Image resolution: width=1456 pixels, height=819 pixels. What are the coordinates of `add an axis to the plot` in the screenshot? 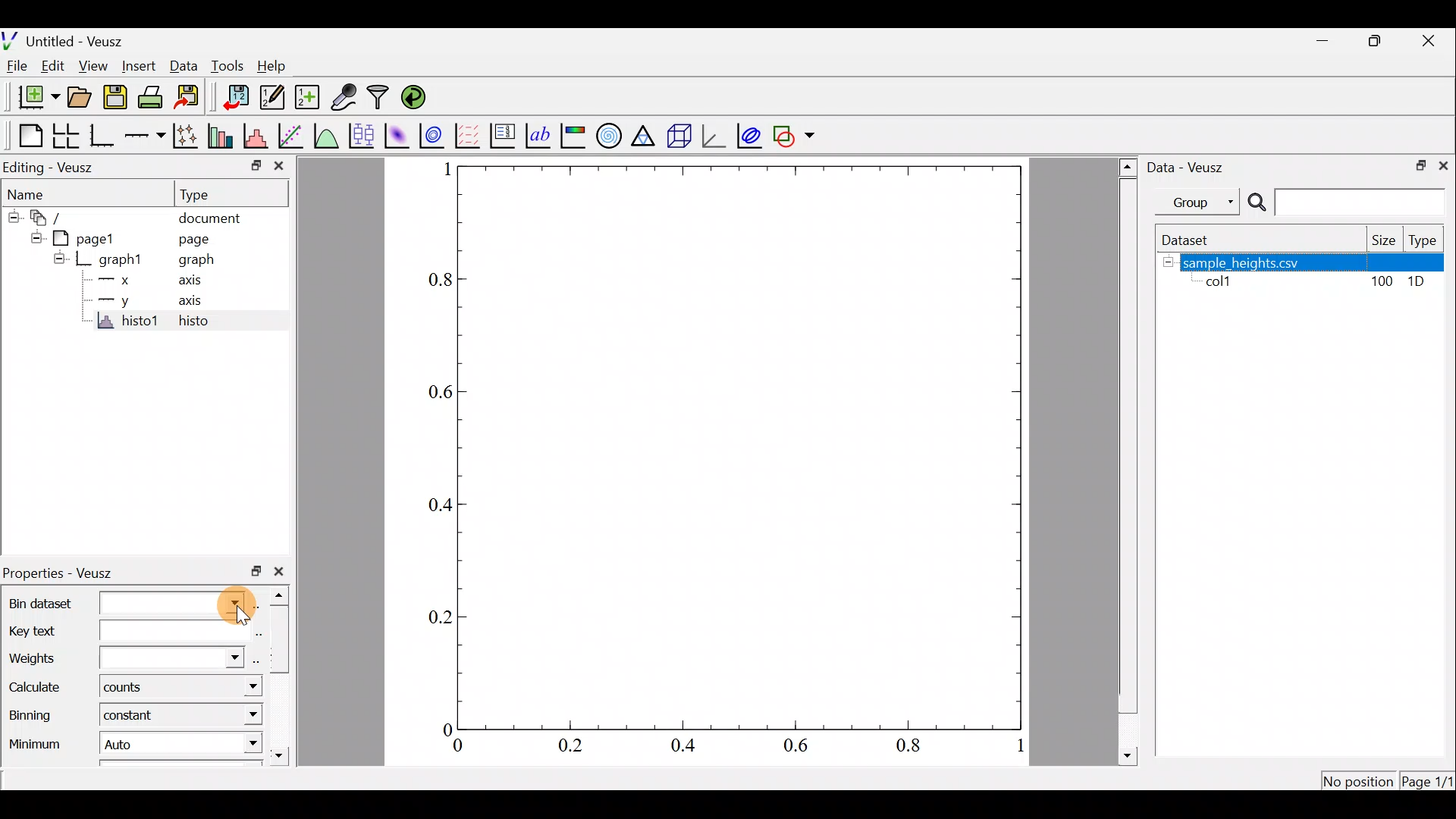 It's located at (144, 138).